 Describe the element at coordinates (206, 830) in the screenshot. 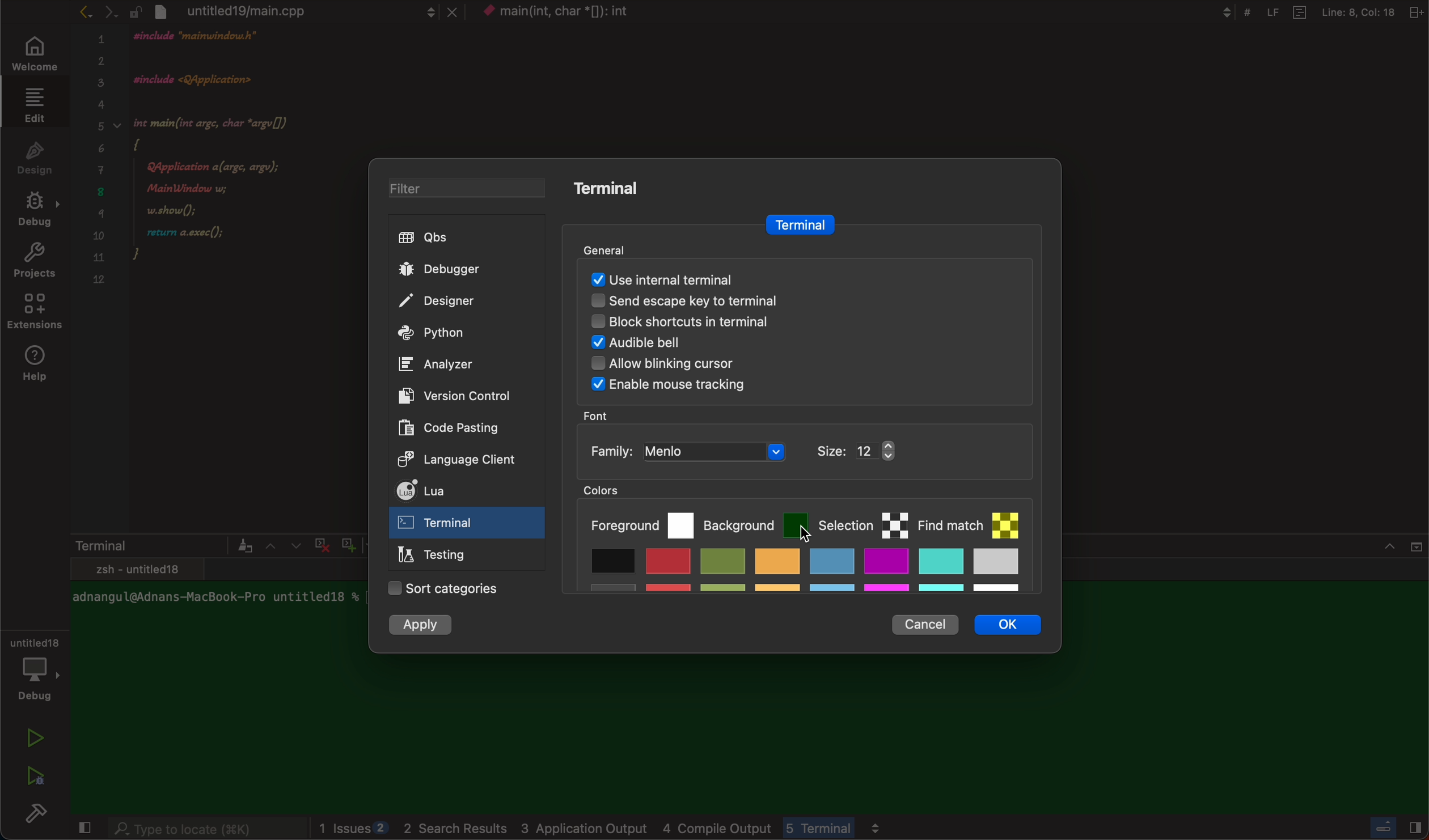

I see `search` at that location.